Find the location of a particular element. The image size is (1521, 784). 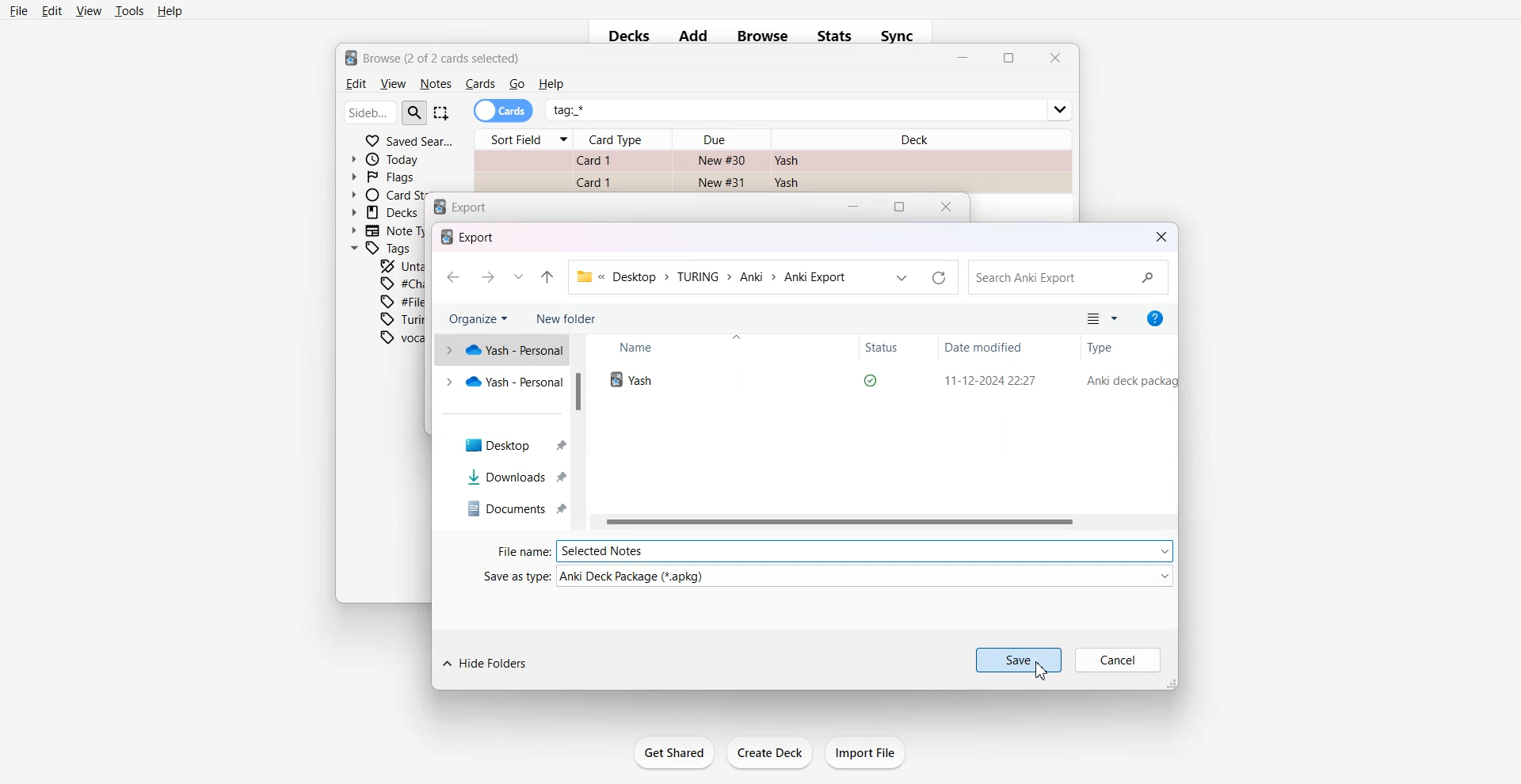

Downloads is located at coordinates (501, 477).